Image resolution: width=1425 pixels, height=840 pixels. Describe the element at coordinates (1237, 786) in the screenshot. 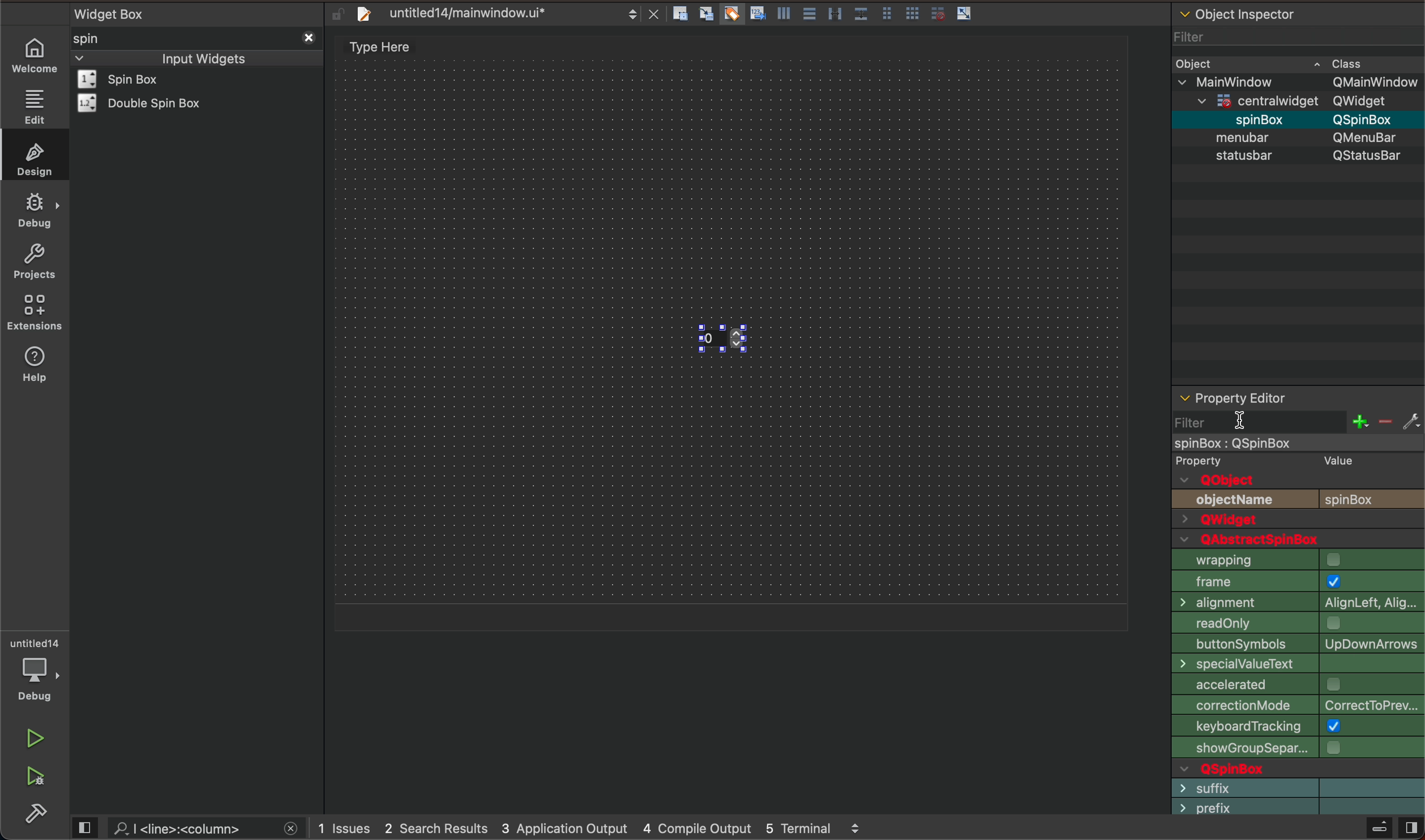

I see `text` at that location.